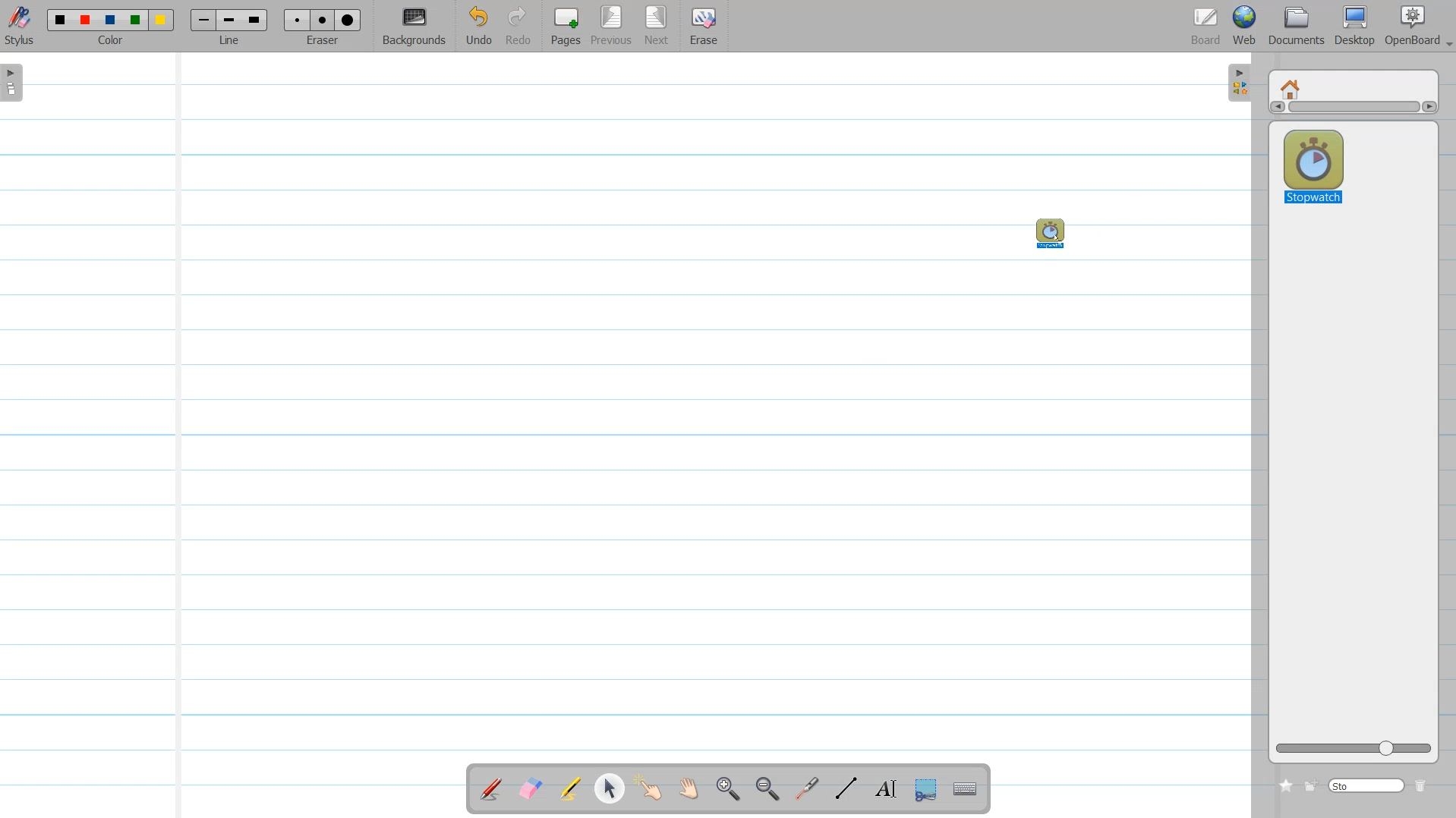 Image resolution: width=1456 pixels, height=818 pixels. I want to click on Drop down box, so click(1447, 39).